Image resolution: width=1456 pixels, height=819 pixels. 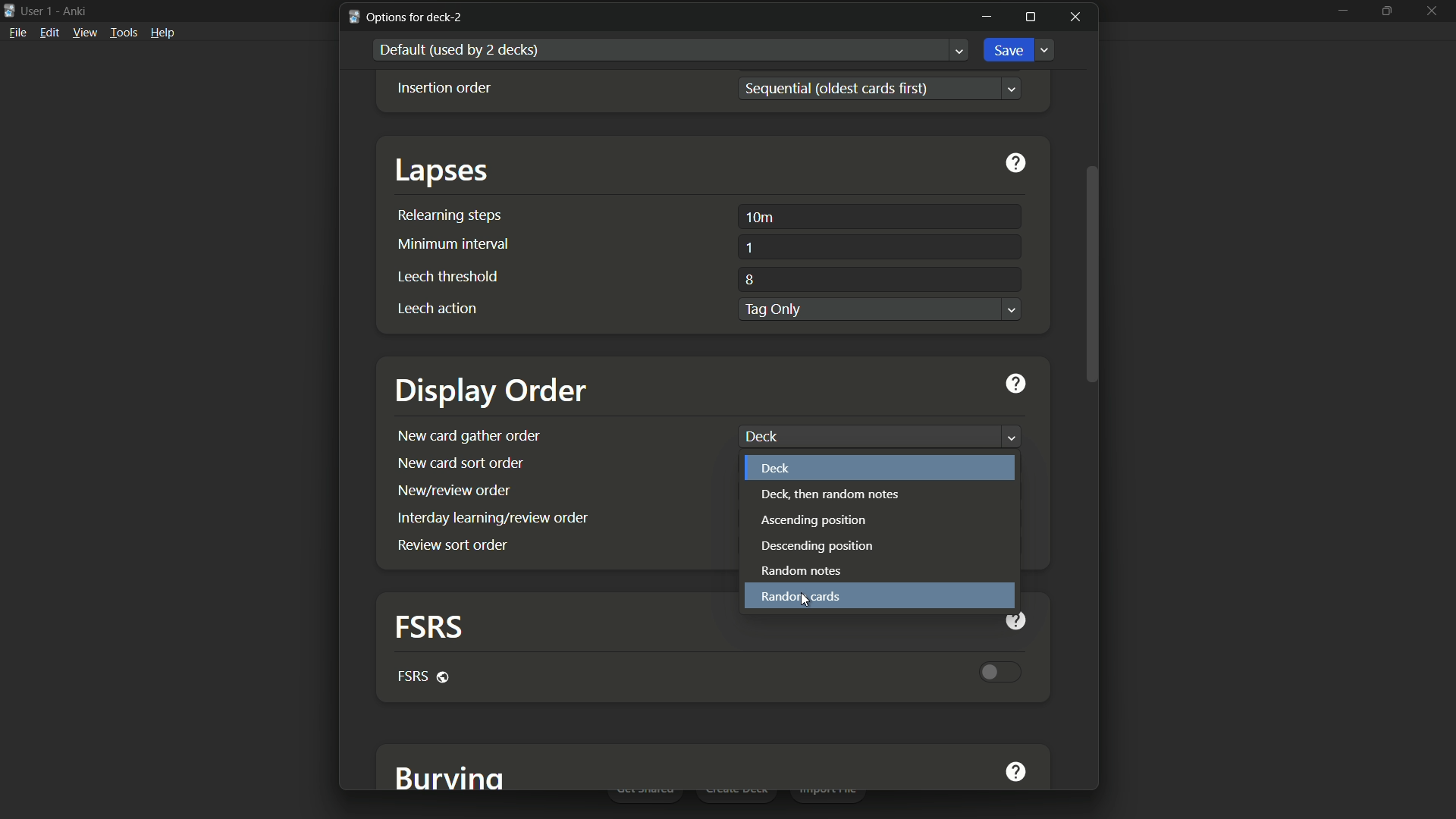 I want to click on app name, so click(x=74, y=11).